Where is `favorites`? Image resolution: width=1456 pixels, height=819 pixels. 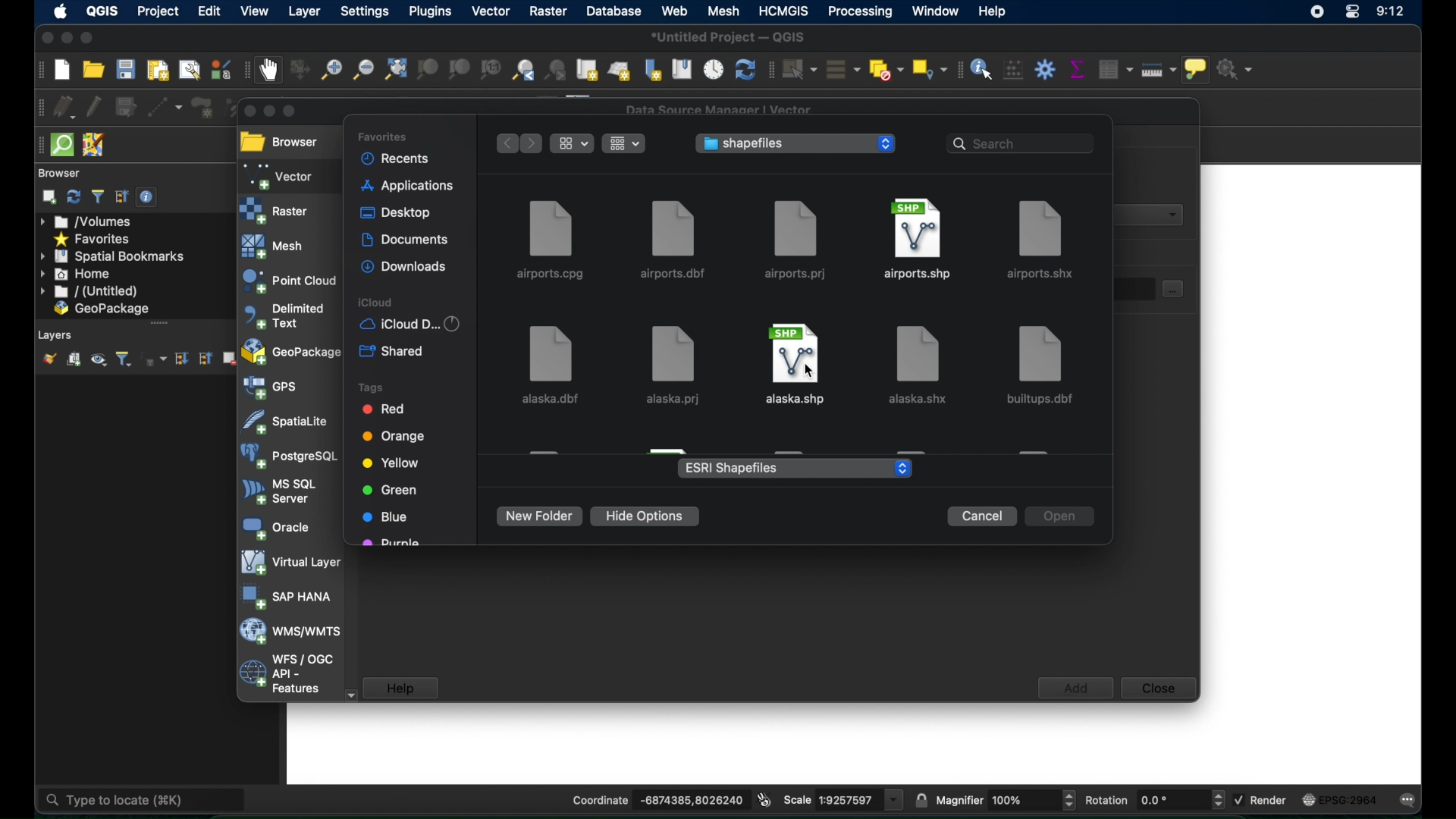
favorites is located at coordinates (93, 238).